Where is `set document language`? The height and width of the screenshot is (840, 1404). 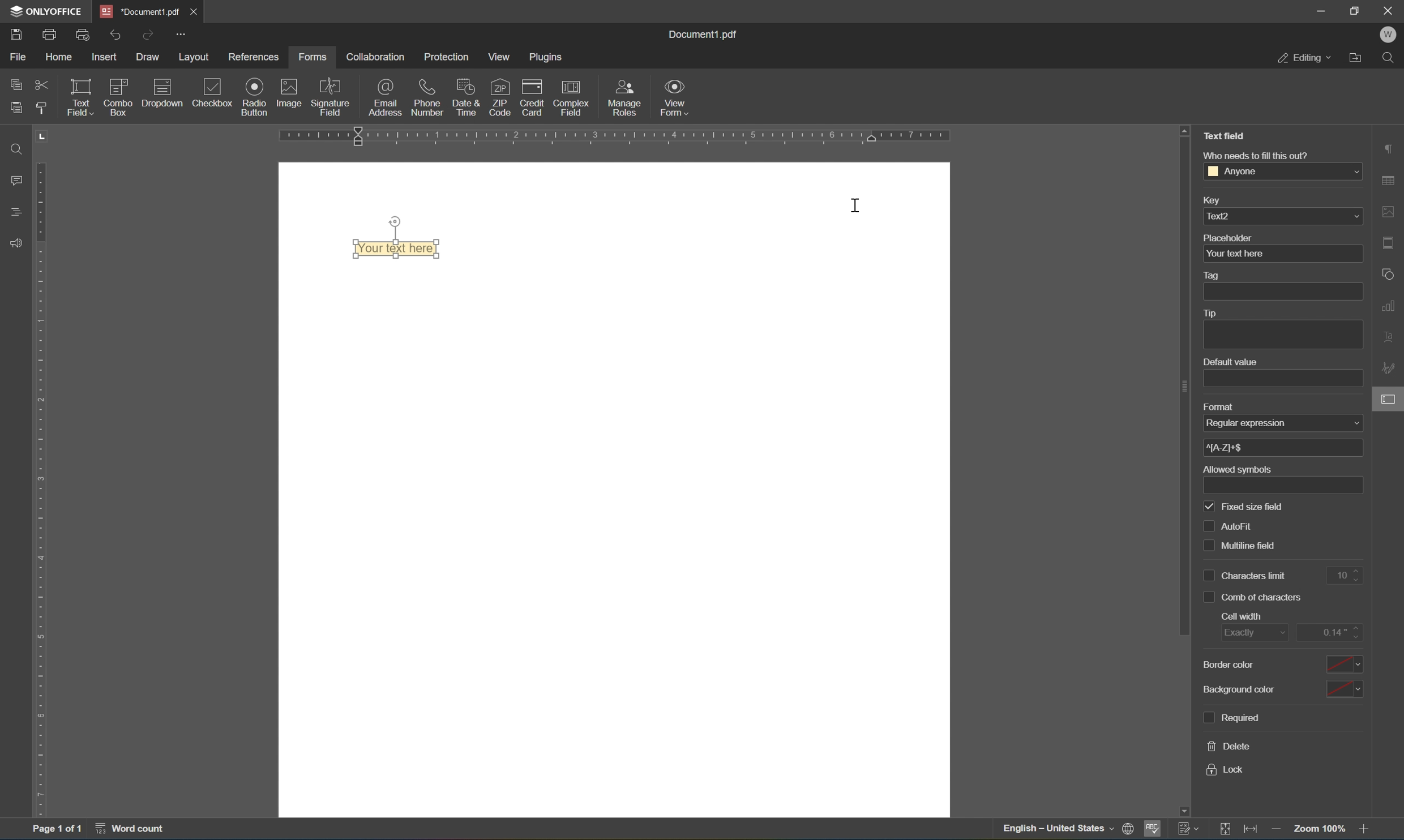
set document language is located at coordinates (1067, 830).